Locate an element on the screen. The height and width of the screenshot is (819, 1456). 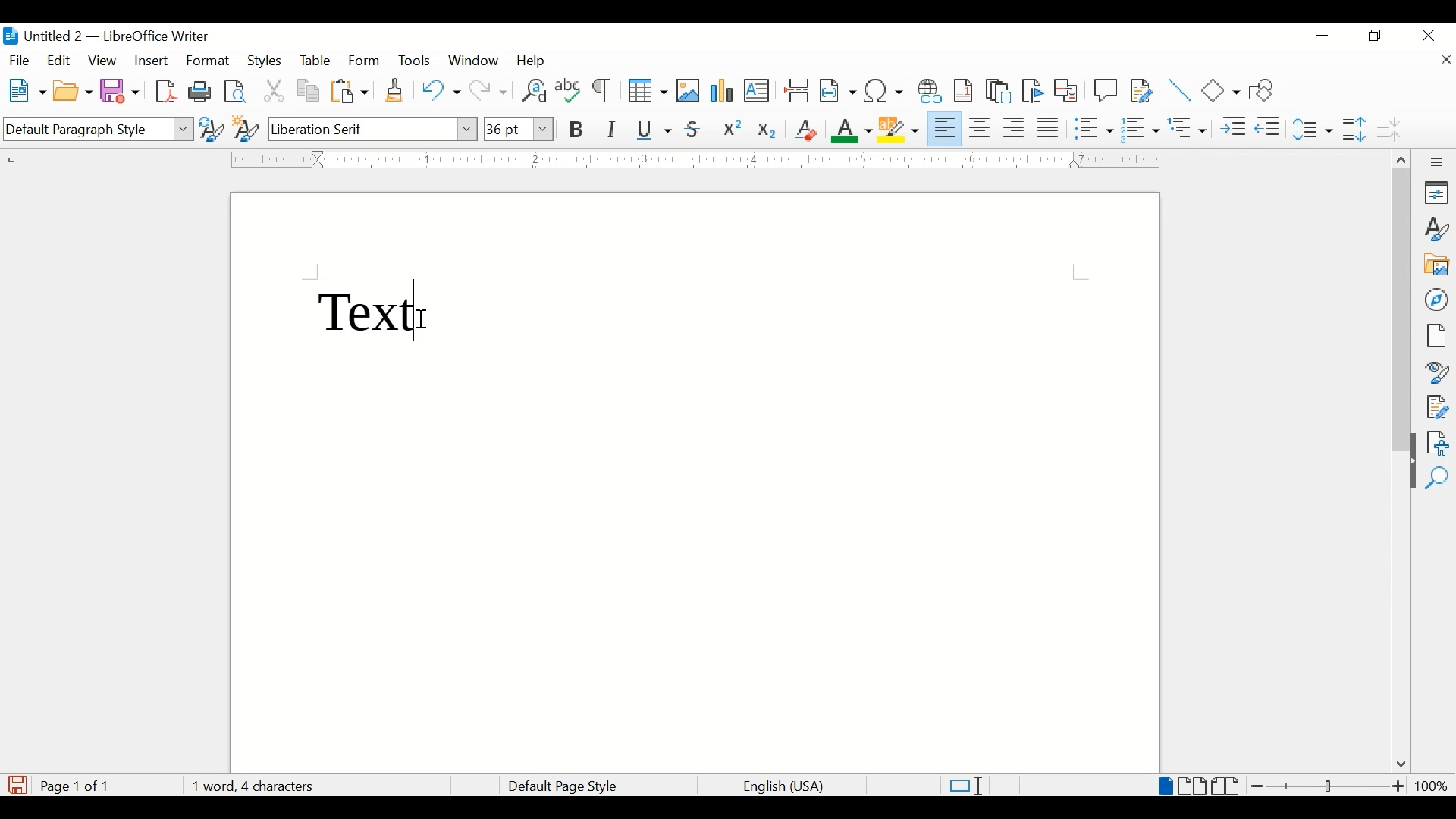
format is located at coordinates (209, 61).